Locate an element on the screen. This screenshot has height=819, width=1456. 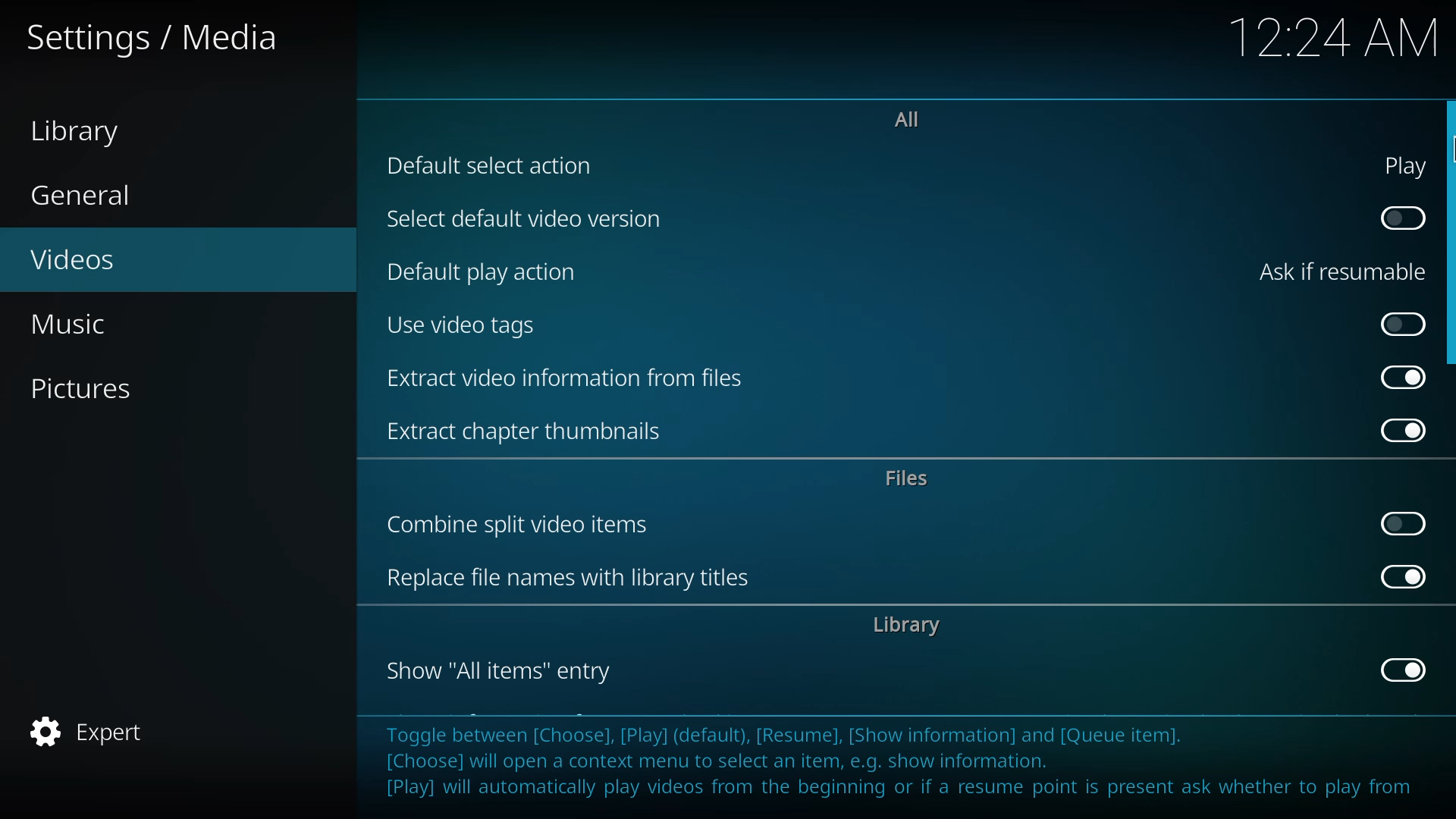
extract chapter thumbnails is located at coordinates (530, 431).